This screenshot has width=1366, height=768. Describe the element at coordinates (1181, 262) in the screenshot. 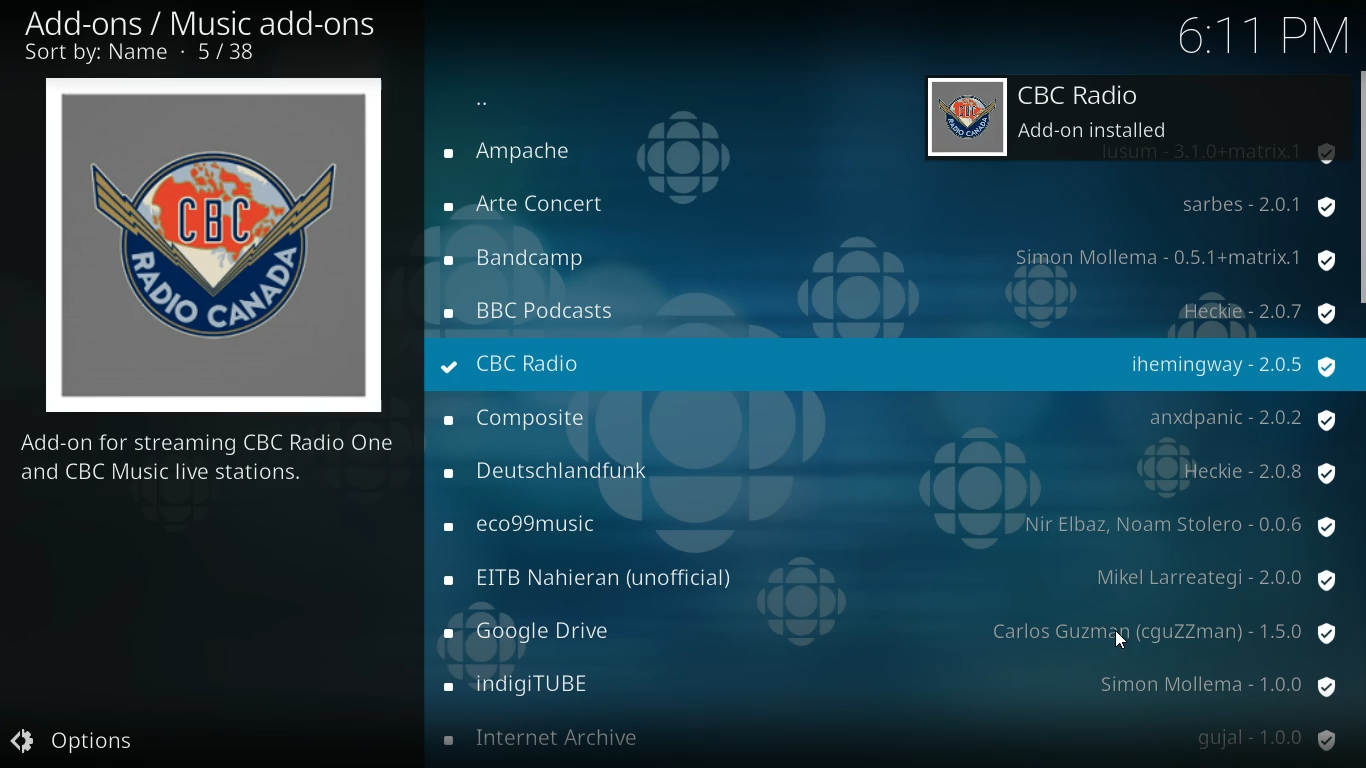

I see `protection` at that location.